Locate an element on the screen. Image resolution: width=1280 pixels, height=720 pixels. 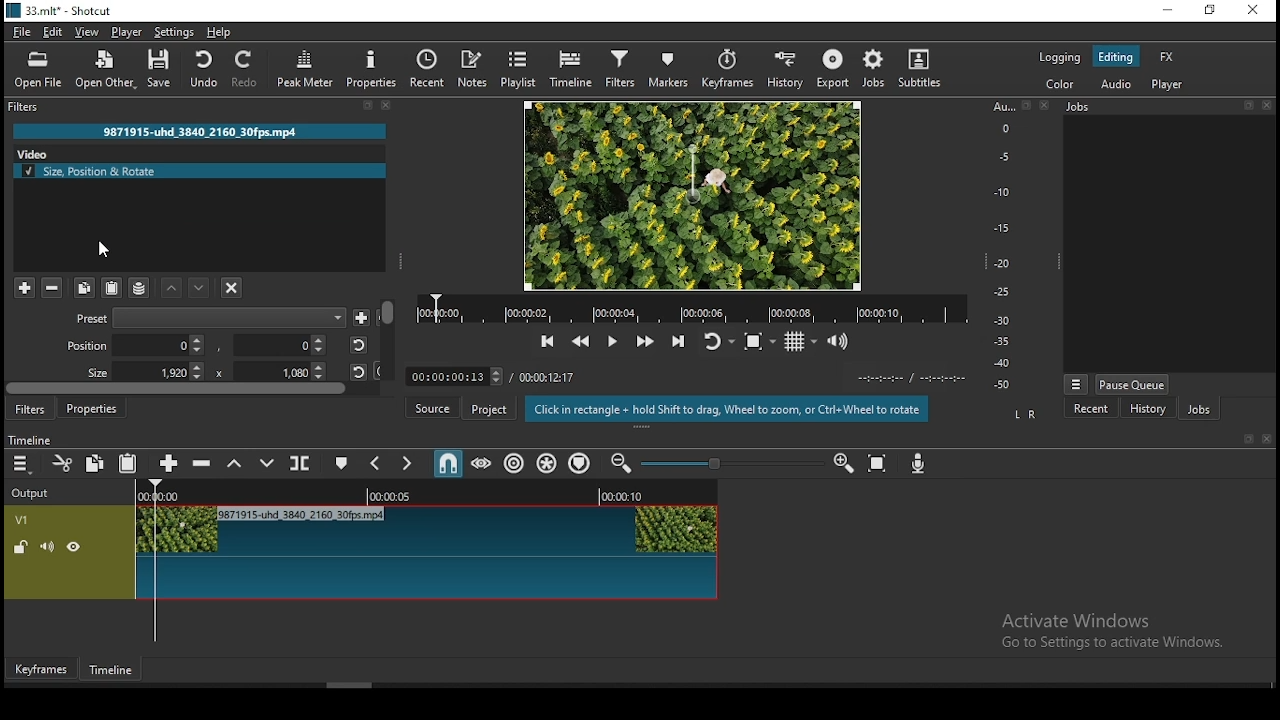
Au... is located at coordinates (1002, 107).